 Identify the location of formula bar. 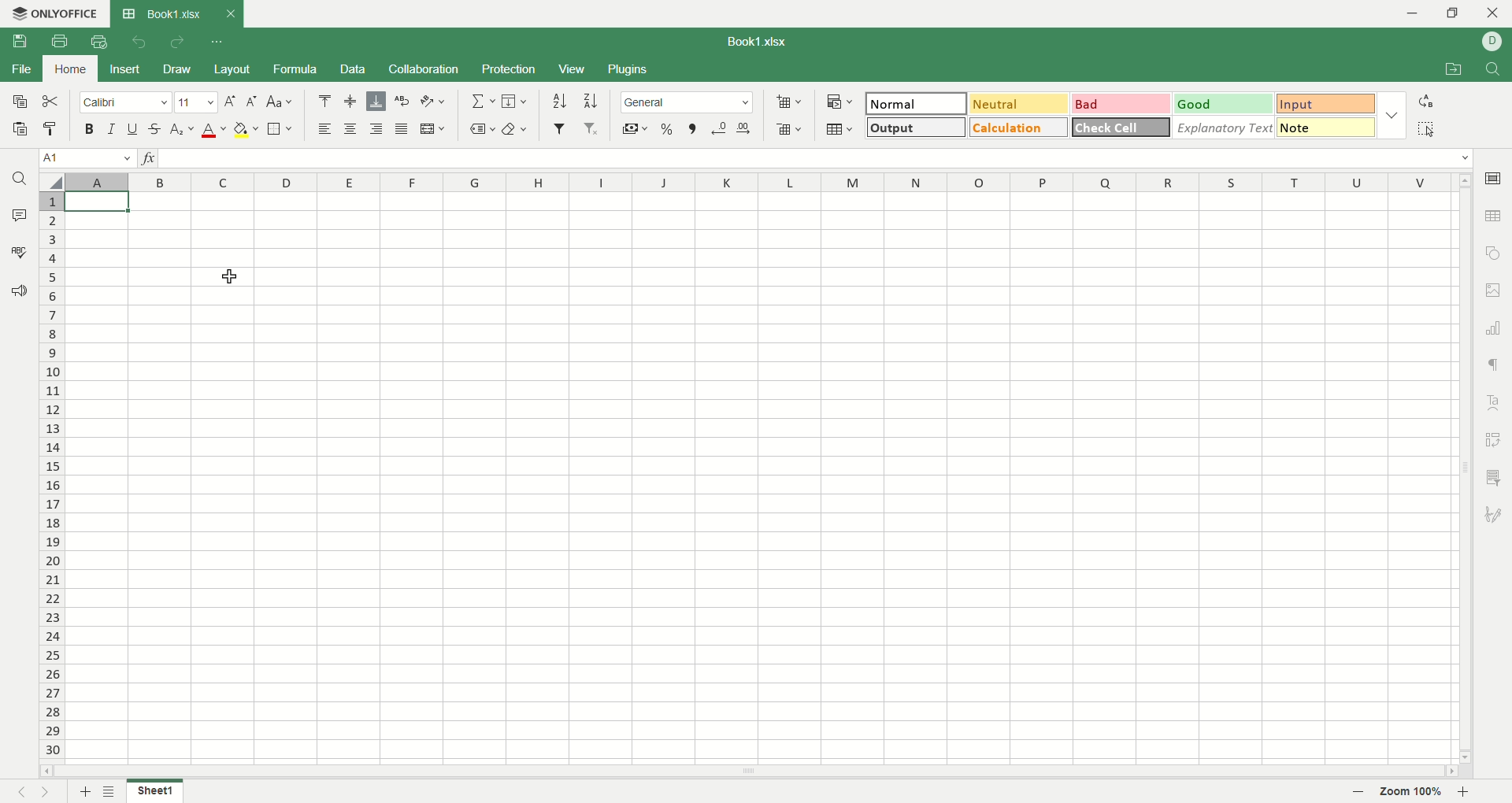
(817, 158).